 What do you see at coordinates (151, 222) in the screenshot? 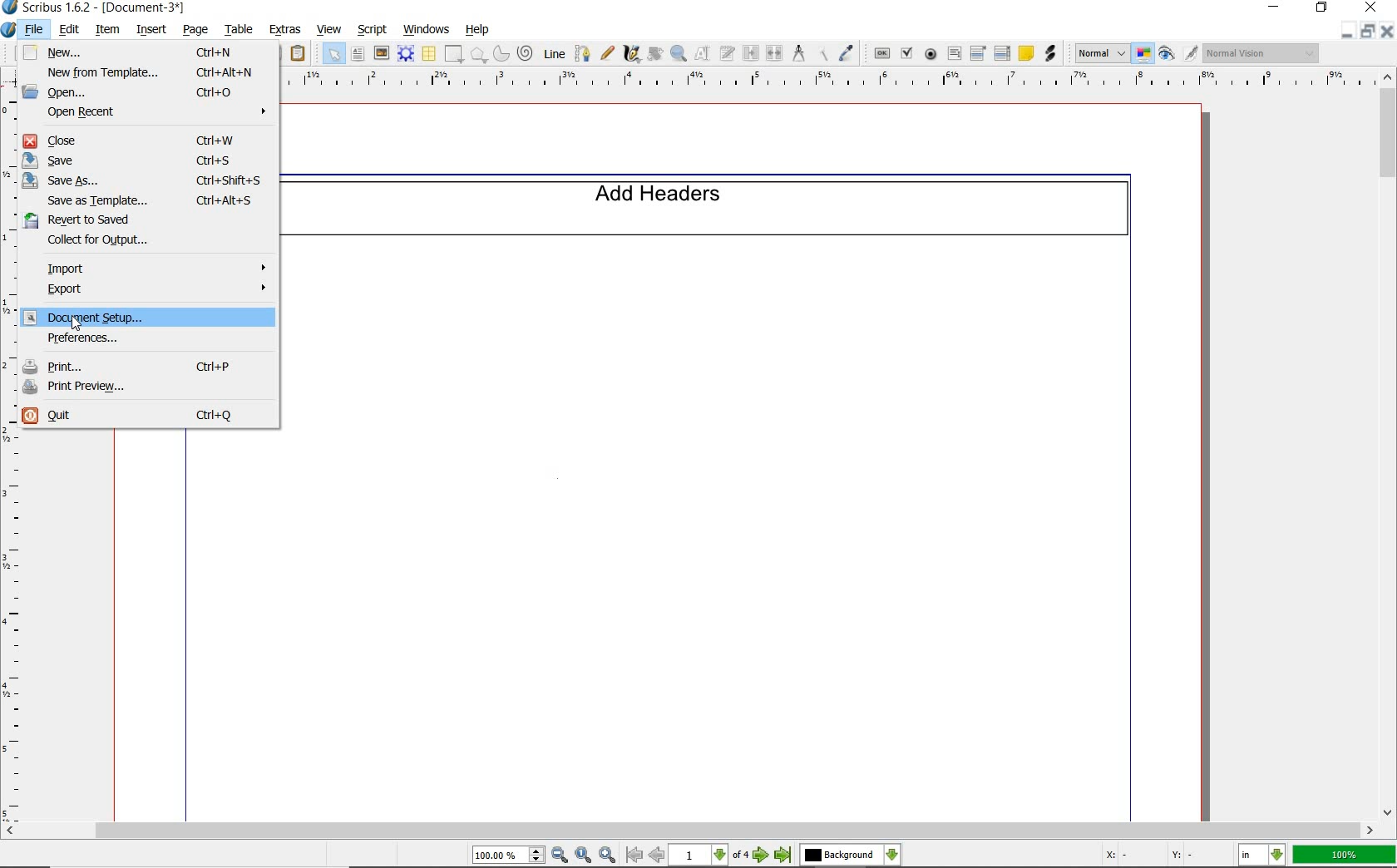
I see `revert to saved` at bounding box center [151, 222].